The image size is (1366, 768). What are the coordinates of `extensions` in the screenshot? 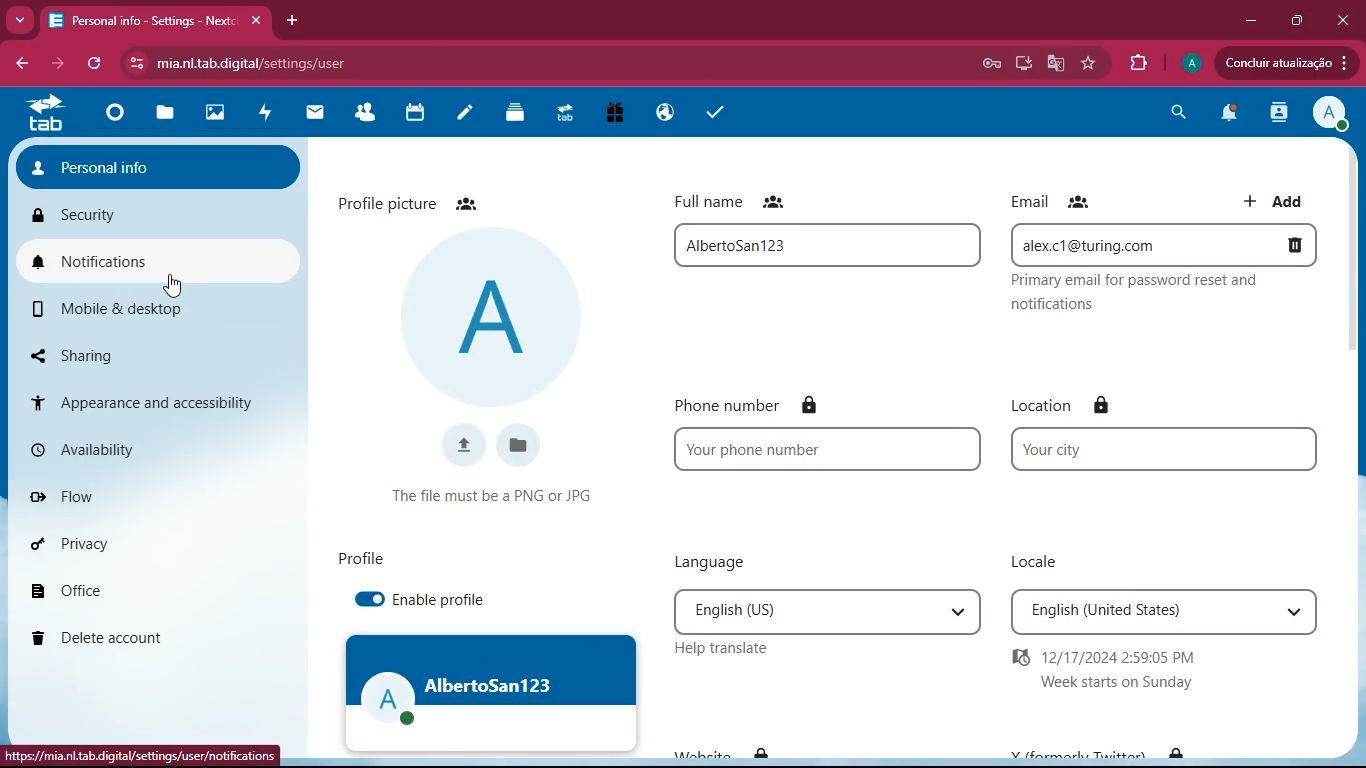 It's located at (1136, 61).